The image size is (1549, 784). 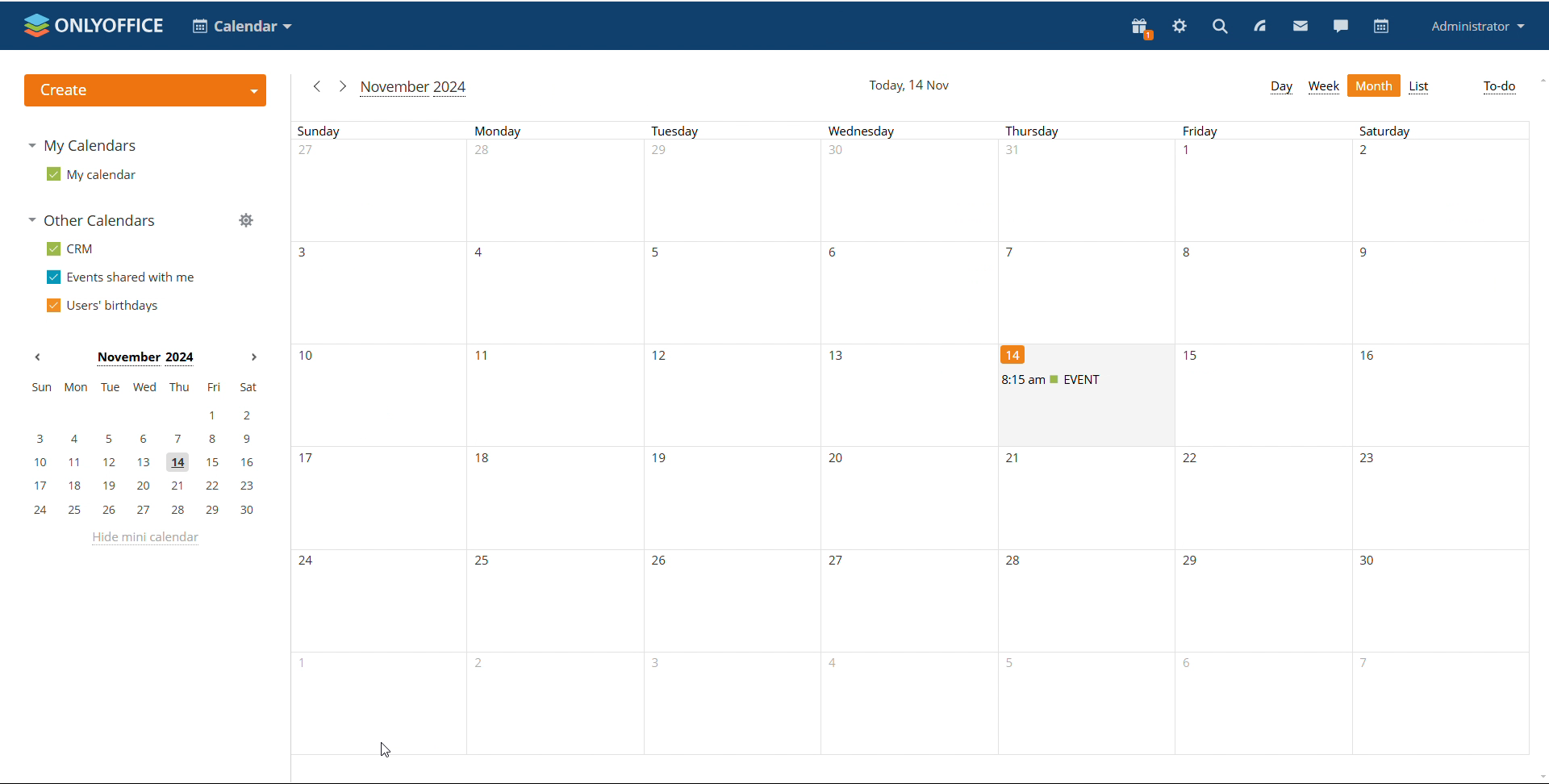 What do you see at coordinates (81, 147) in the screenshot?
I see `my calendars` at bounding box center [81, 147].